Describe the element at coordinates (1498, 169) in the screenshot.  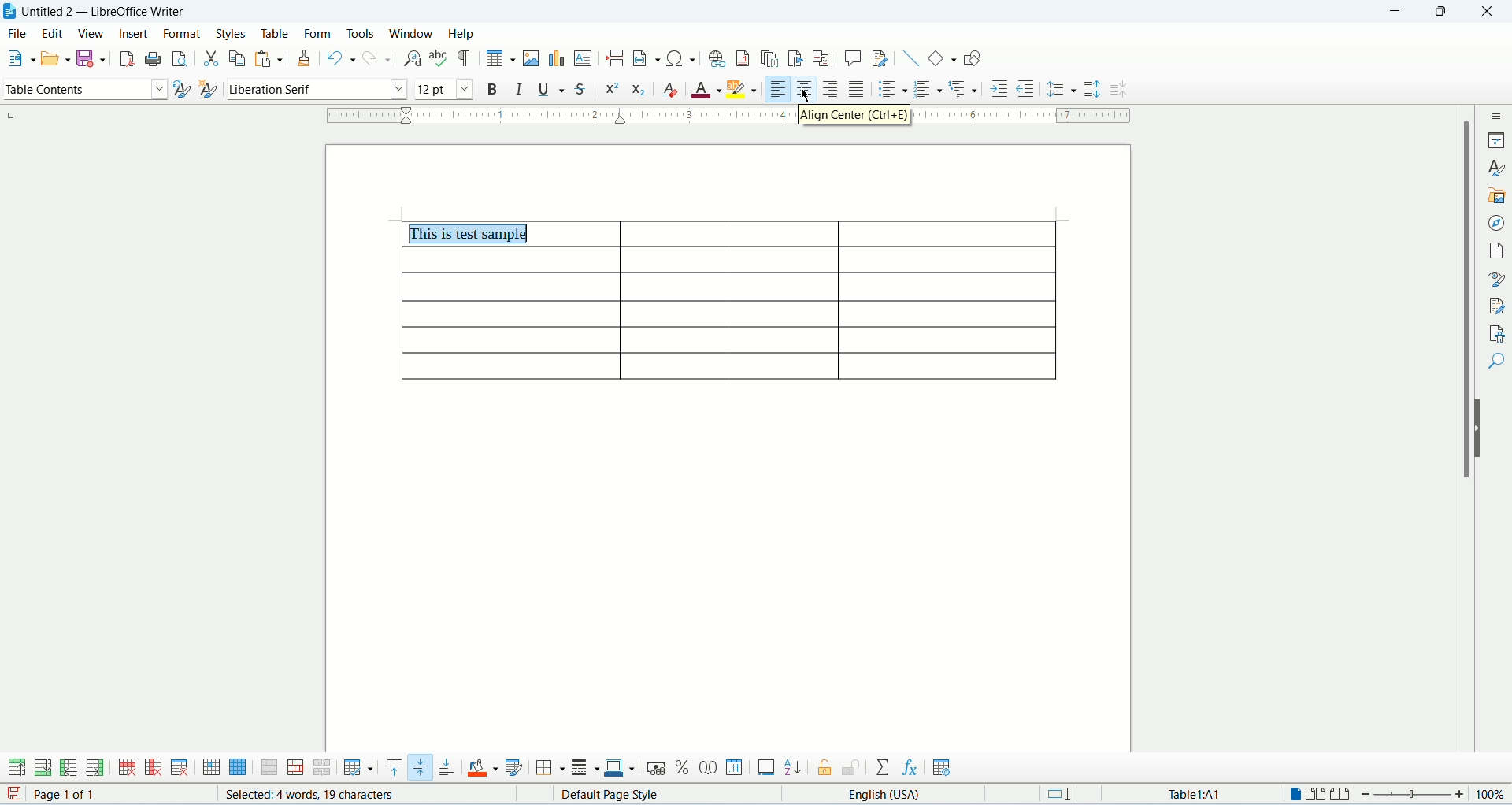
I see `styles` at that location.